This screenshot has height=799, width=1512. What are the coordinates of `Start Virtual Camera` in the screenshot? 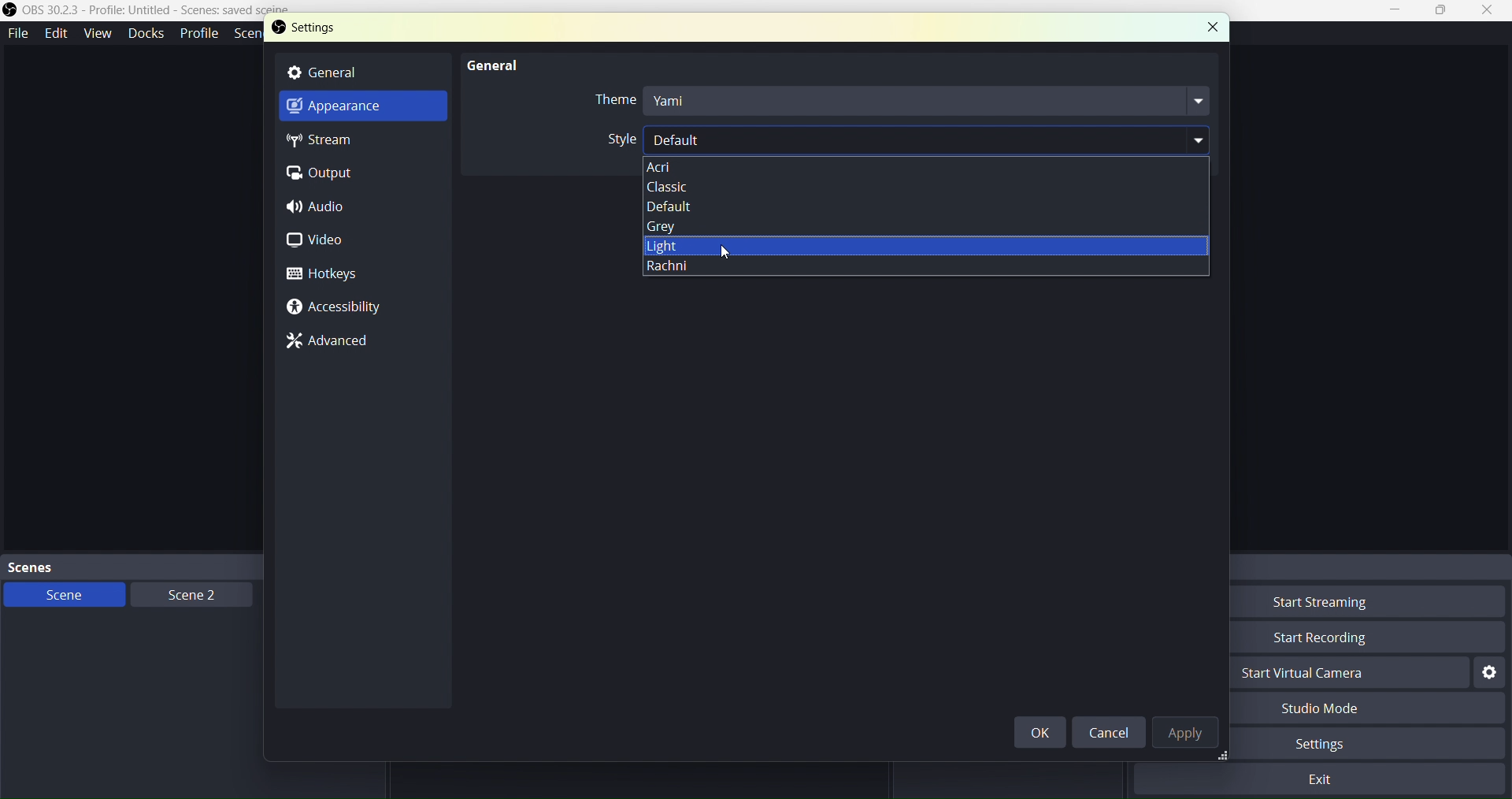 It's located at (1343, 675).